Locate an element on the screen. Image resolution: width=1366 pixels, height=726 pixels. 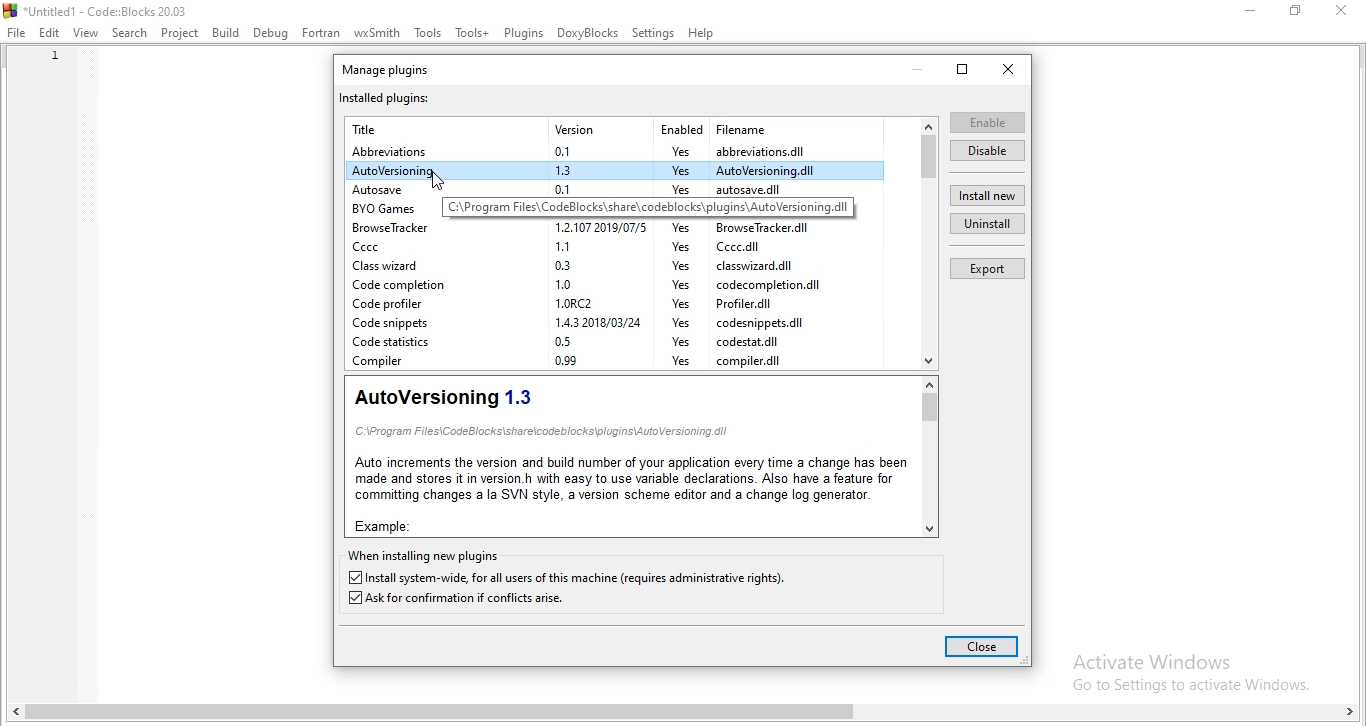
*Untitled1 - Code::Blocks 20.03 is located at coordinates (97, 10).